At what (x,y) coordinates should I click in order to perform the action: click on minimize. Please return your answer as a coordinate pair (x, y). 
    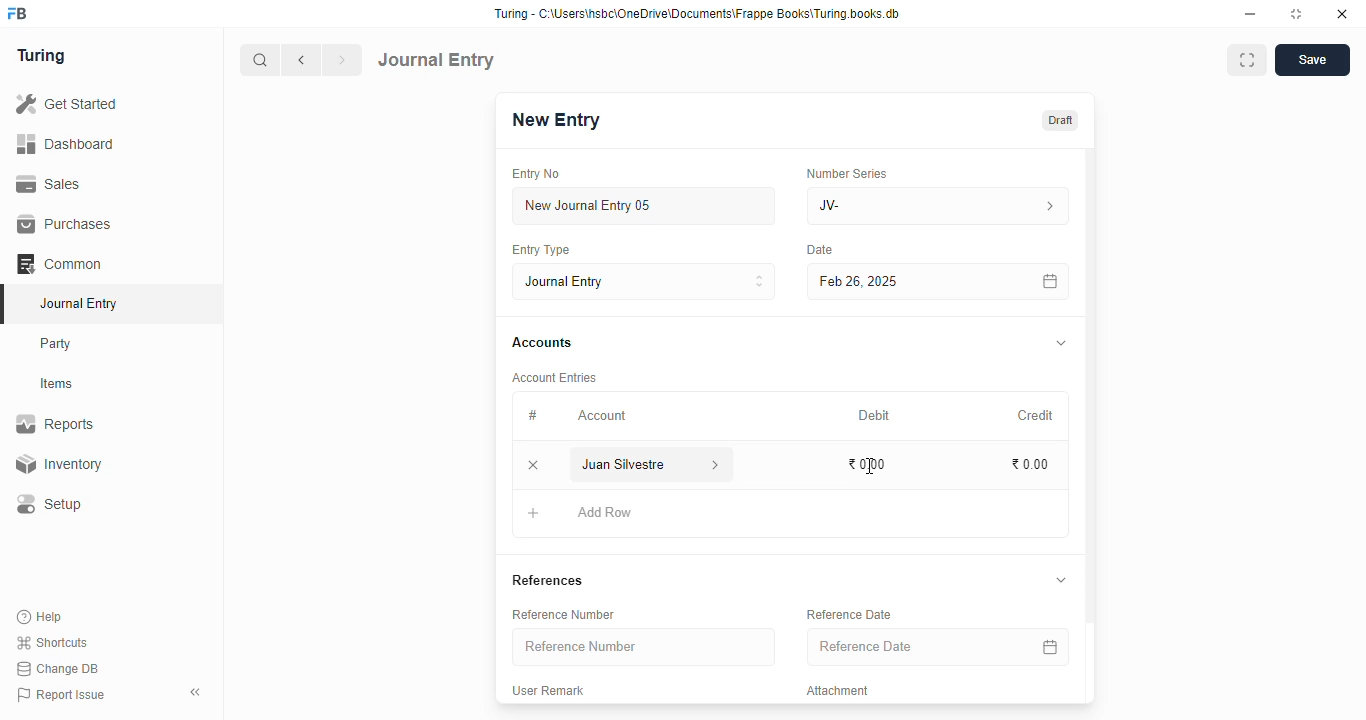
    Looking at the image, I should click on (1251, 14).